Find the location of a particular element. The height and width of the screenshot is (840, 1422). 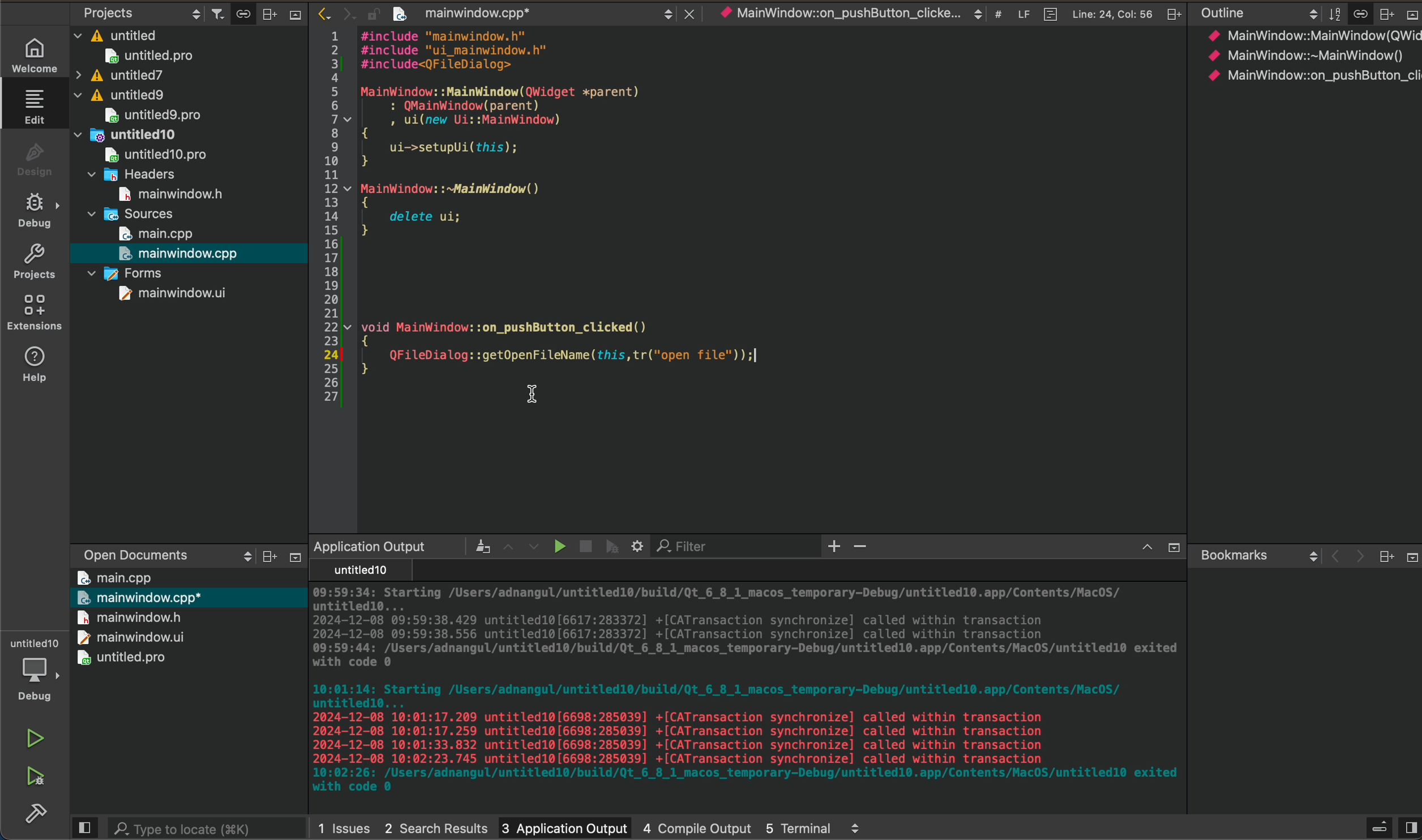

run is located at coordinates (33, 740).